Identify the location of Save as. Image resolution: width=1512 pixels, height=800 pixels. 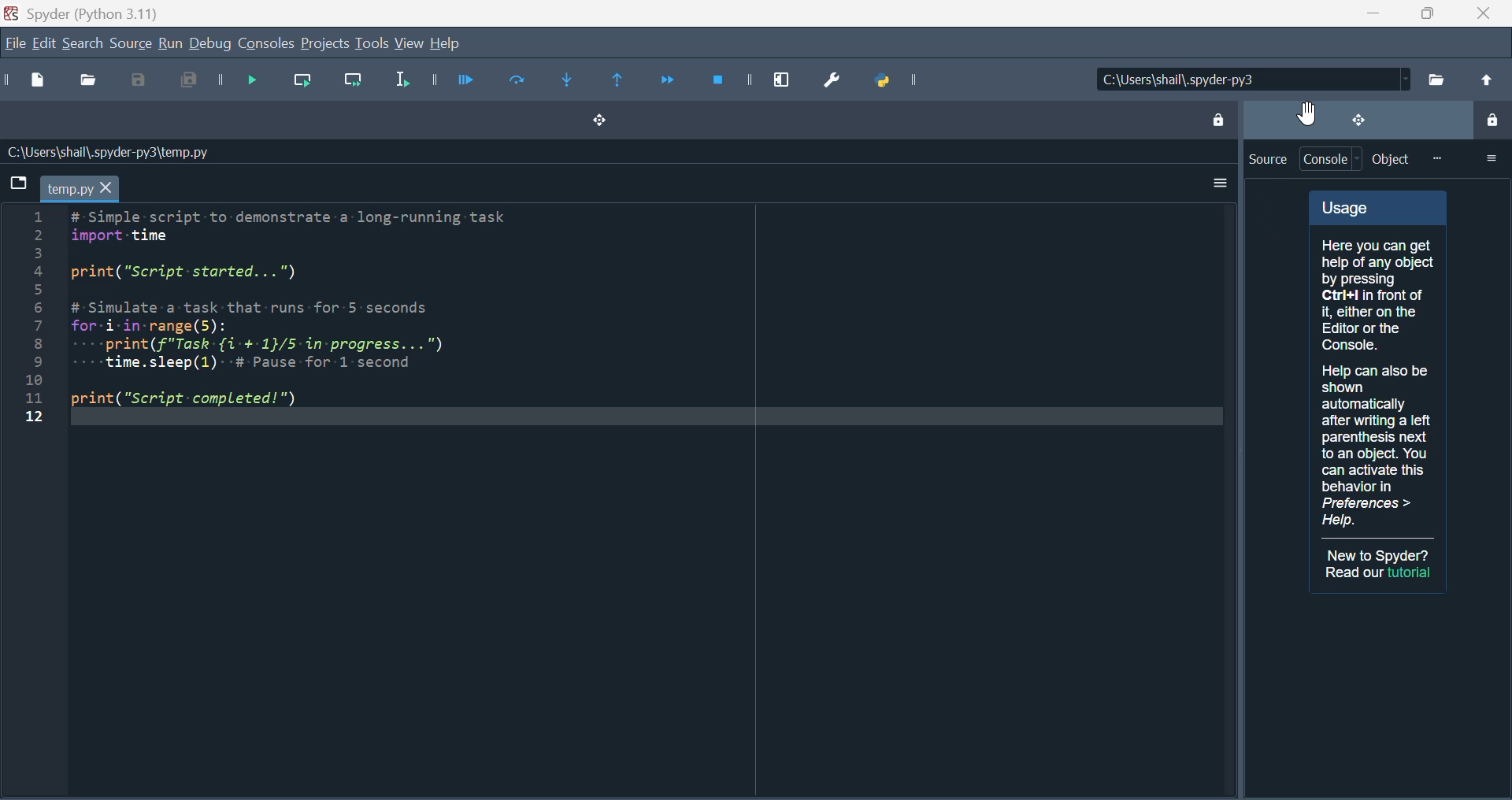
(140, 83).